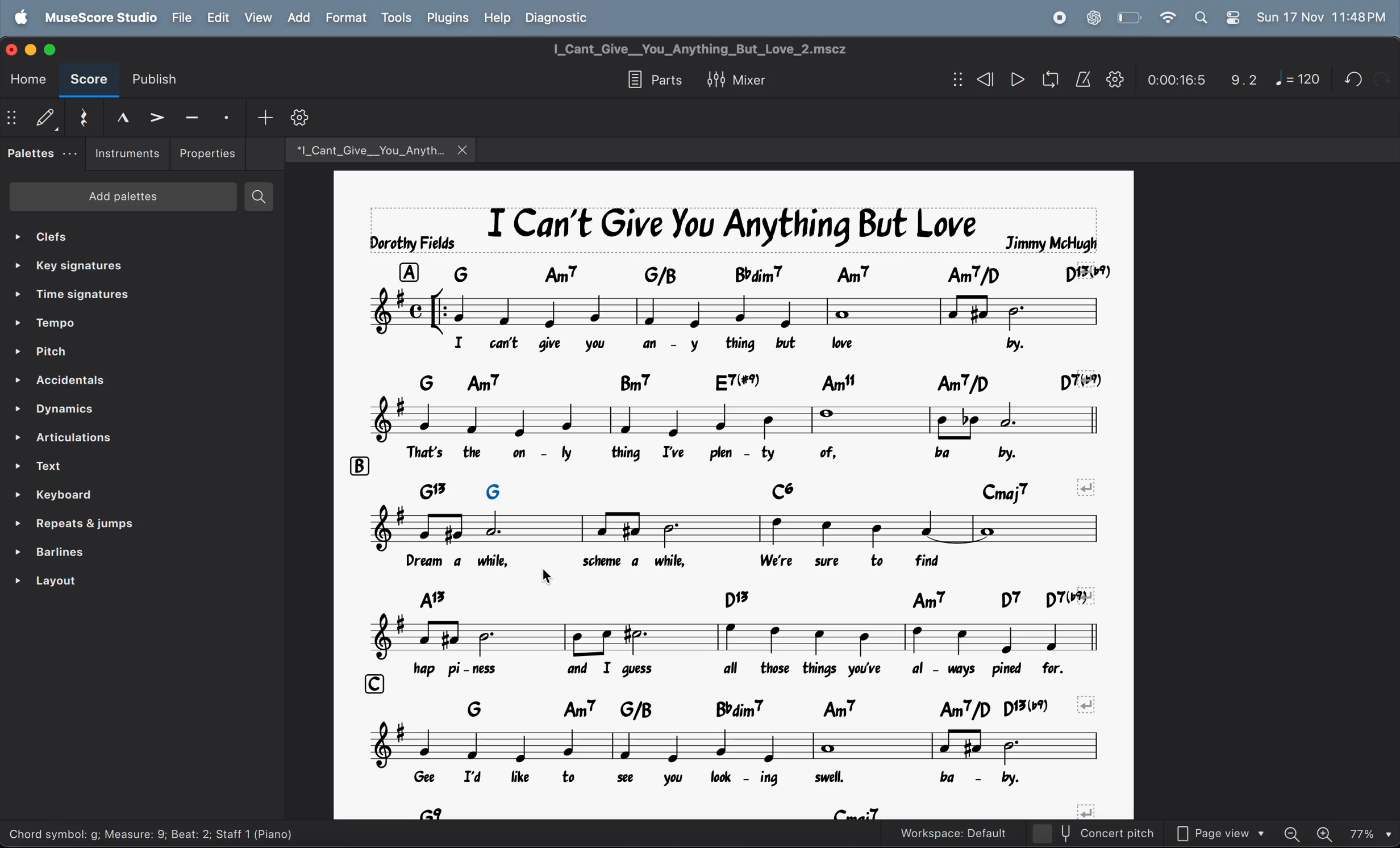  I want to click on workspace default, so click(949, 831).